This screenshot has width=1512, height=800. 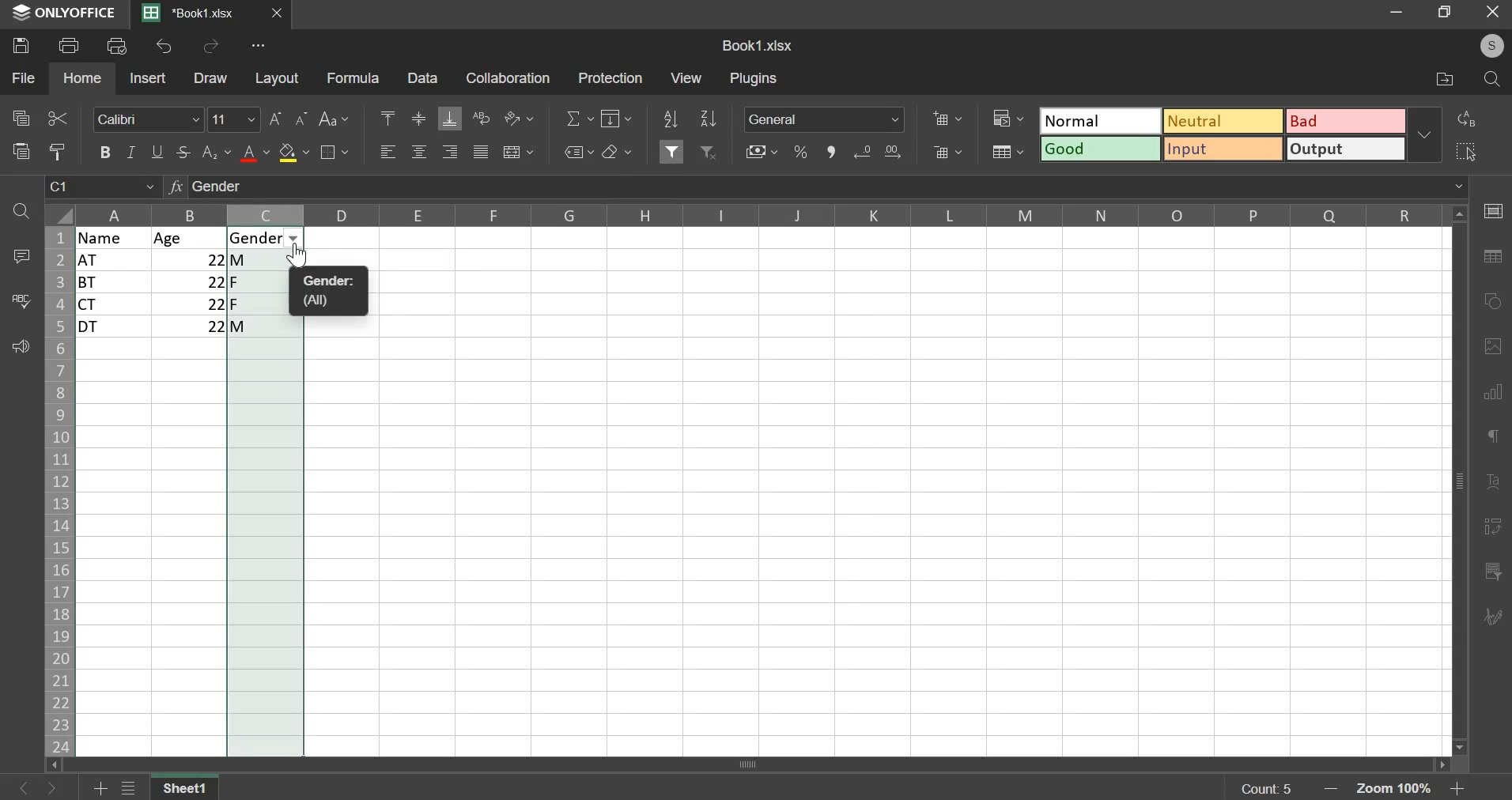 I want to click on plugins, so click(x=754, y=79).